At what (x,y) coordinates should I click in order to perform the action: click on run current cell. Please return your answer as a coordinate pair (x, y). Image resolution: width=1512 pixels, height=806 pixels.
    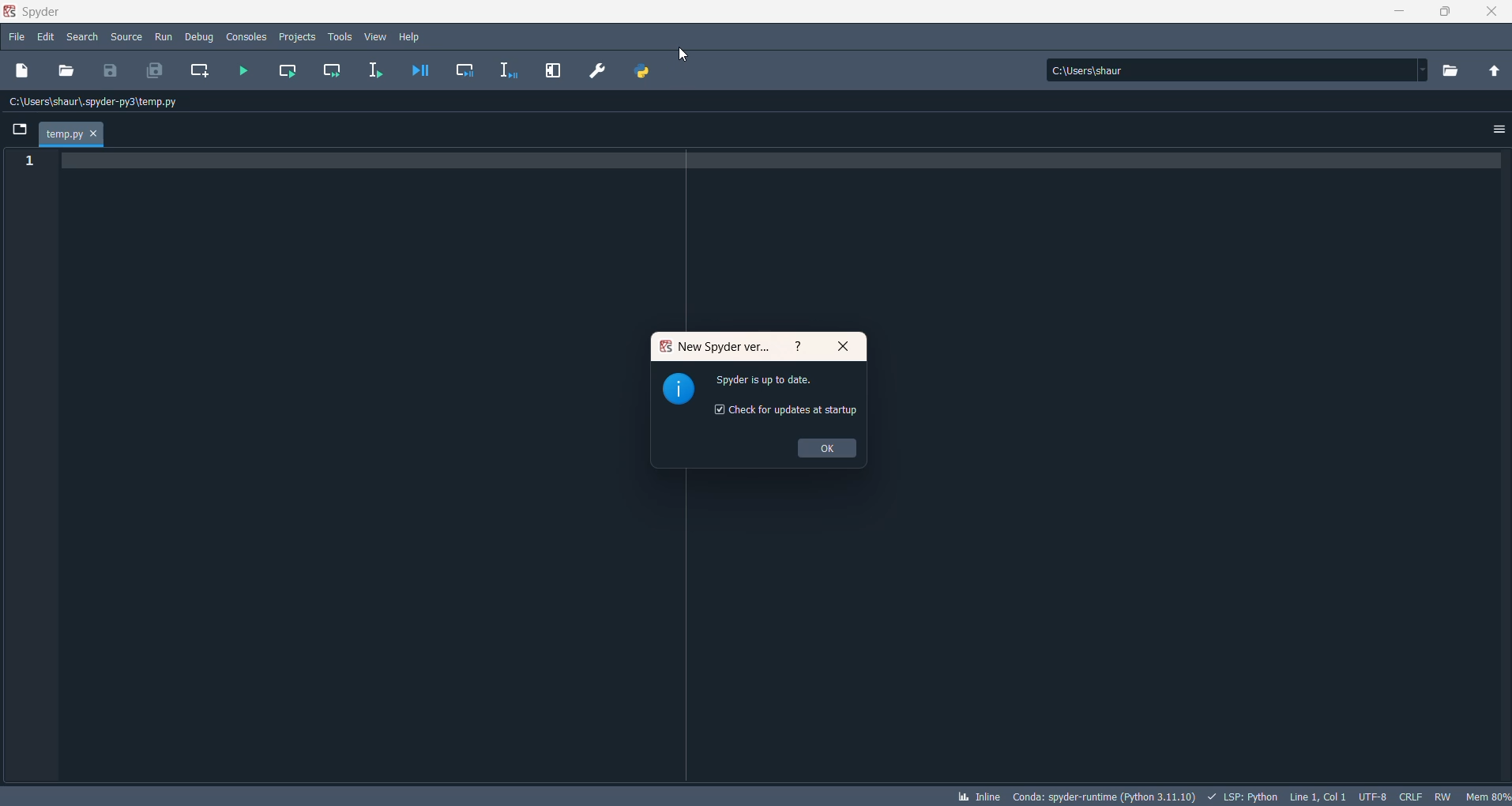
    Looking at the image, I should click on (291, 71).